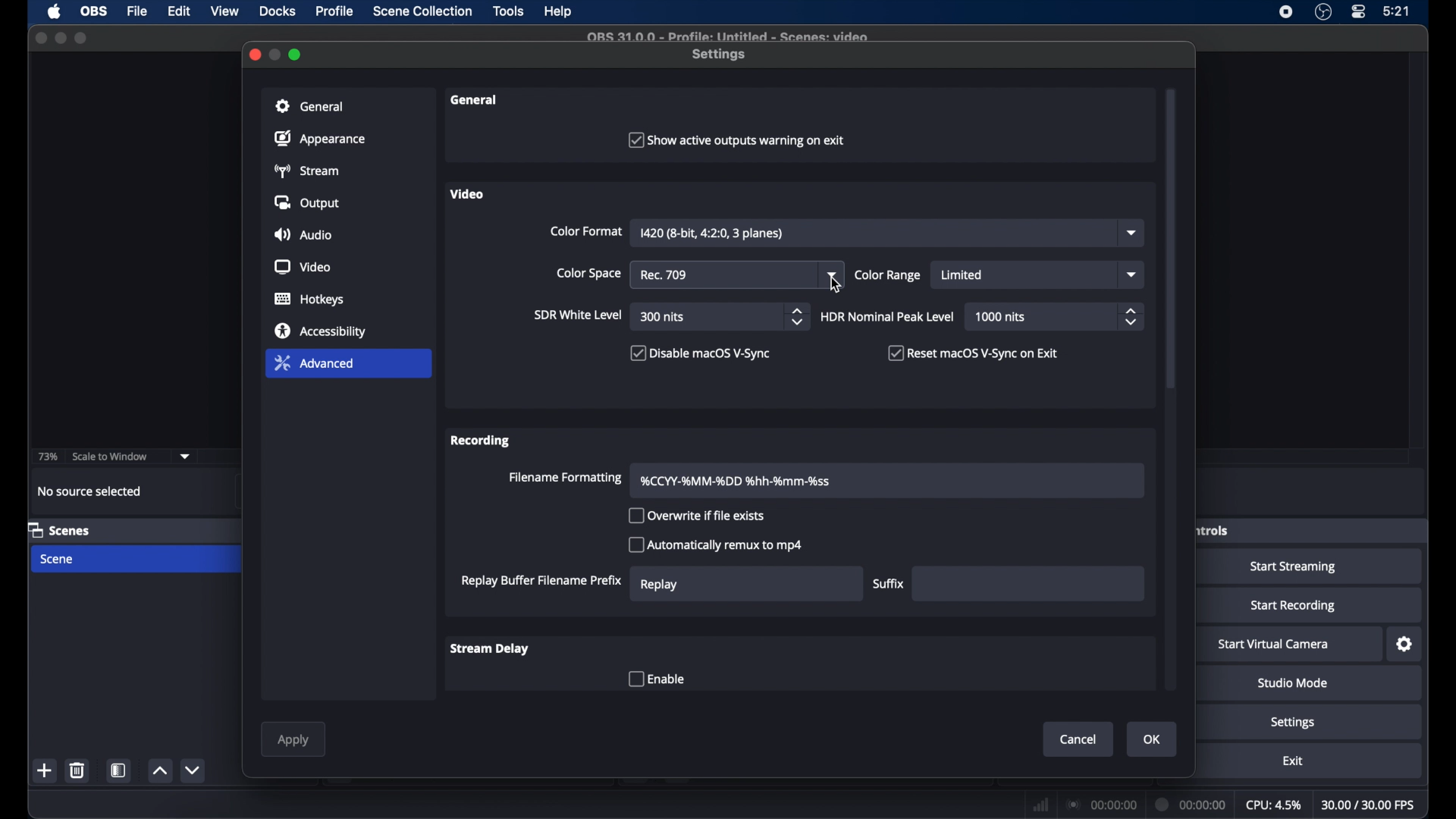  Describe the element at coordinates (1287, 11) in the screenshot. I see `screen recorder` at that location.